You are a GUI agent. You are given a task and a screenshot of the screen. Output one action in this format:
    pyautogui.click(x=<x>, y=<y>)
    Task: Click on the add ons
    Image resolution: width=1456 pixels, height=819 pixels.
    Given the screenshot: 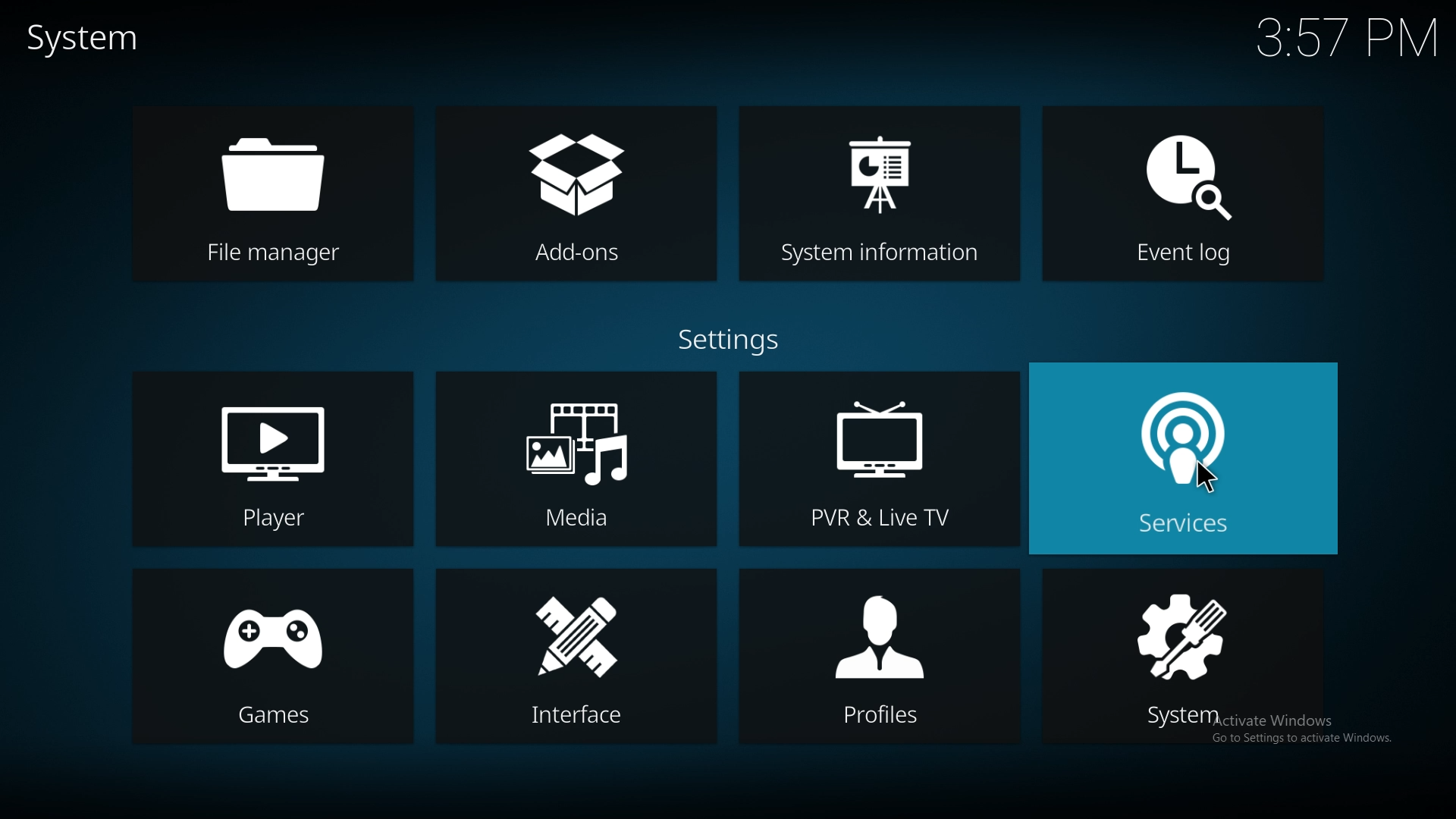 What is the action you would take?
    pyautogui.click(x=578, y=195)
    